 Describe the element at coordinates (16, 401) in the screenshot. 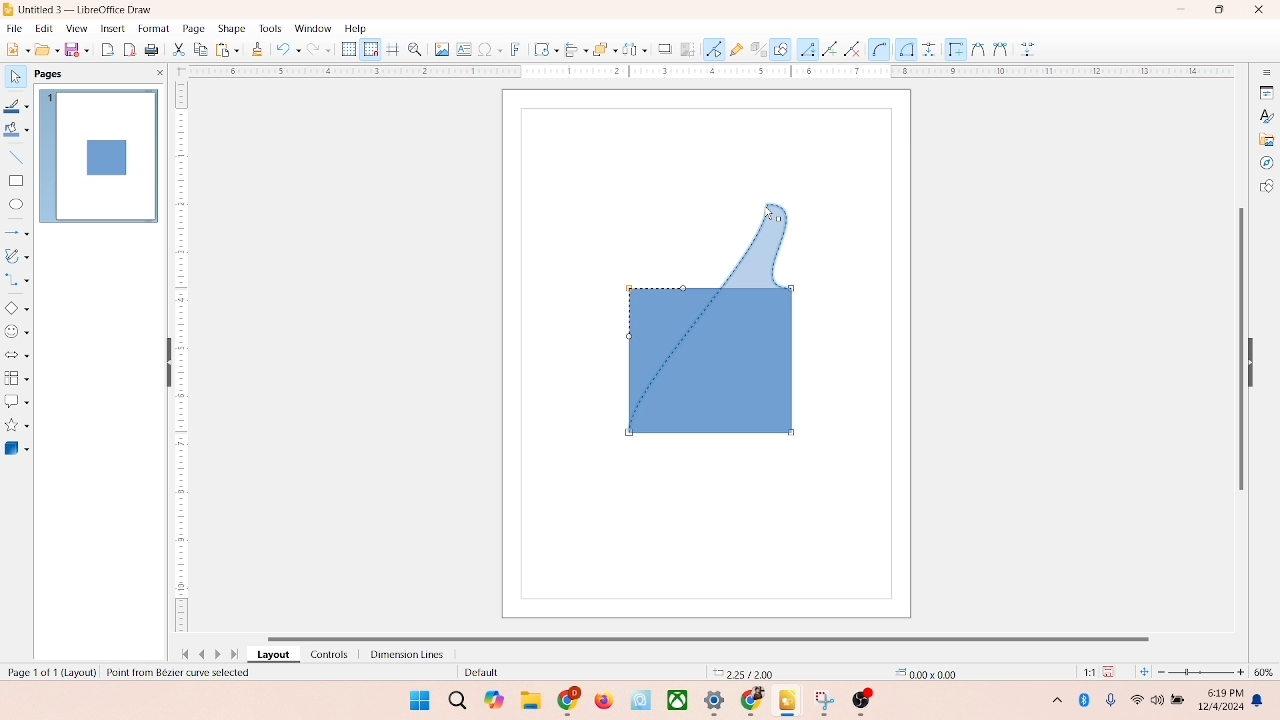

I see `callout` at that location.